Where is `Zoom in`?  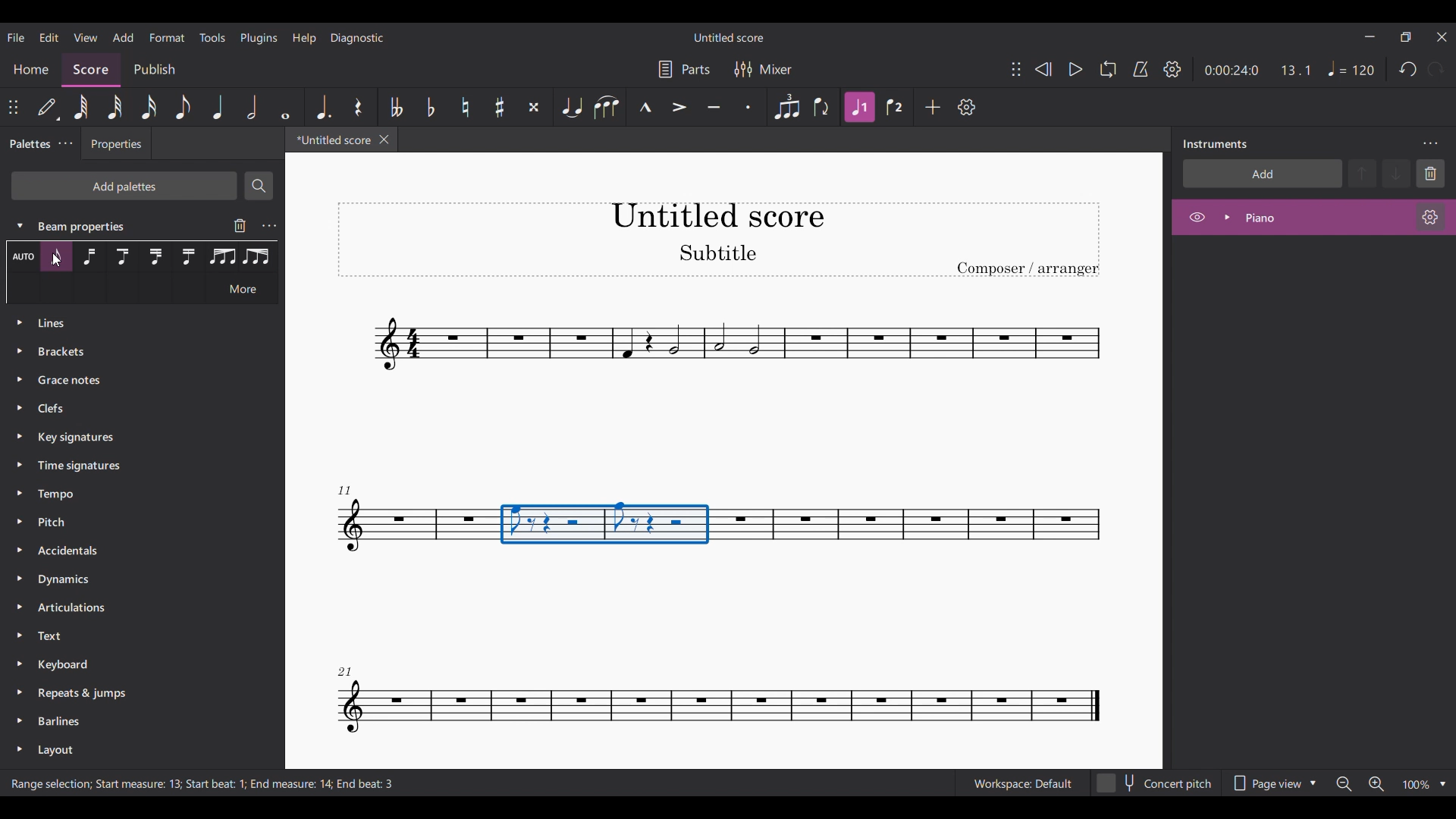
Zoom in is located at coordinates (1376, 784).